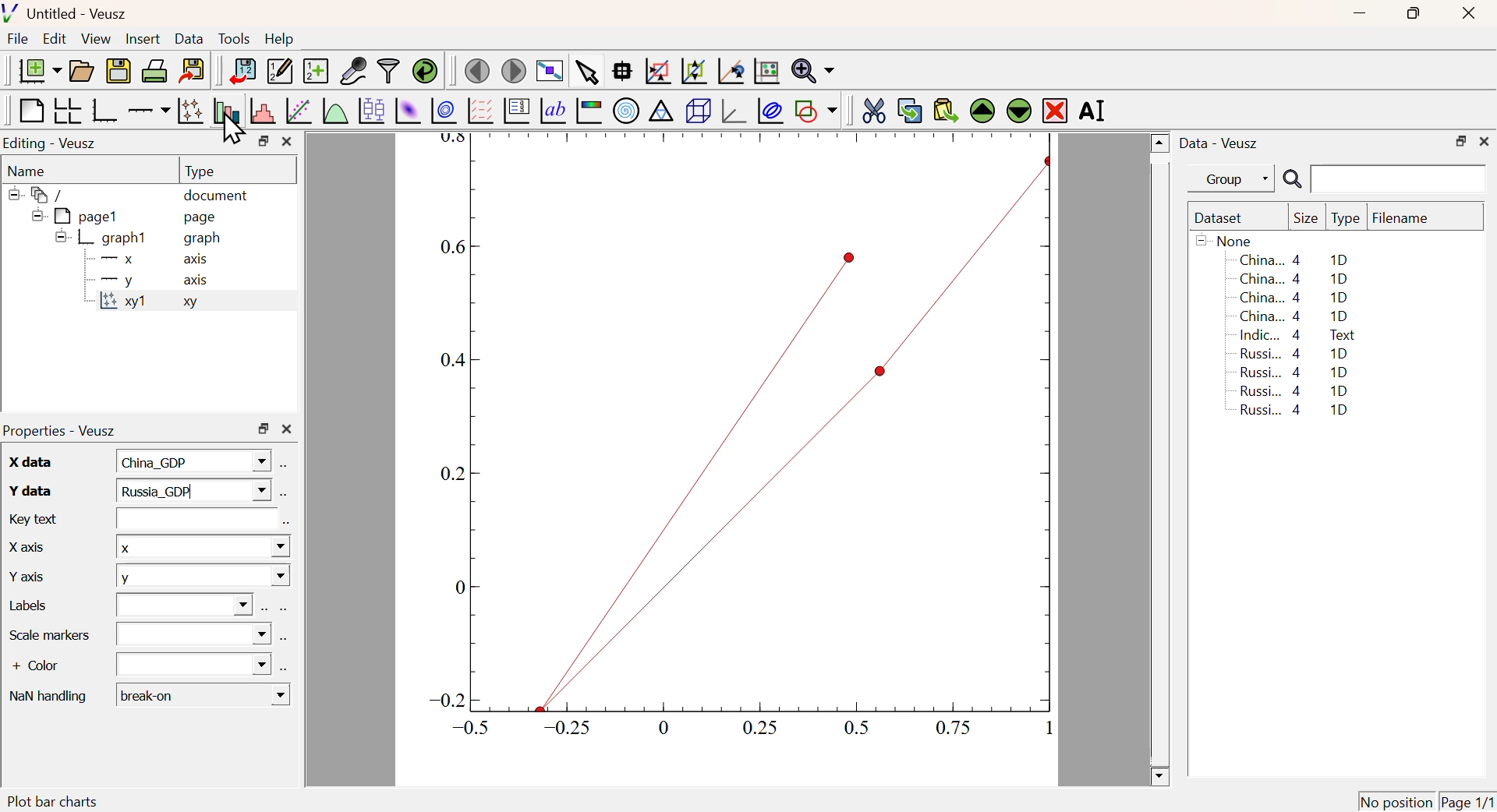 The height and width of the screenshot is (812, 1497). Describe the element at coordinates (1297, 353) in the screenshot. I see `Russi... 4 1D` at that location.